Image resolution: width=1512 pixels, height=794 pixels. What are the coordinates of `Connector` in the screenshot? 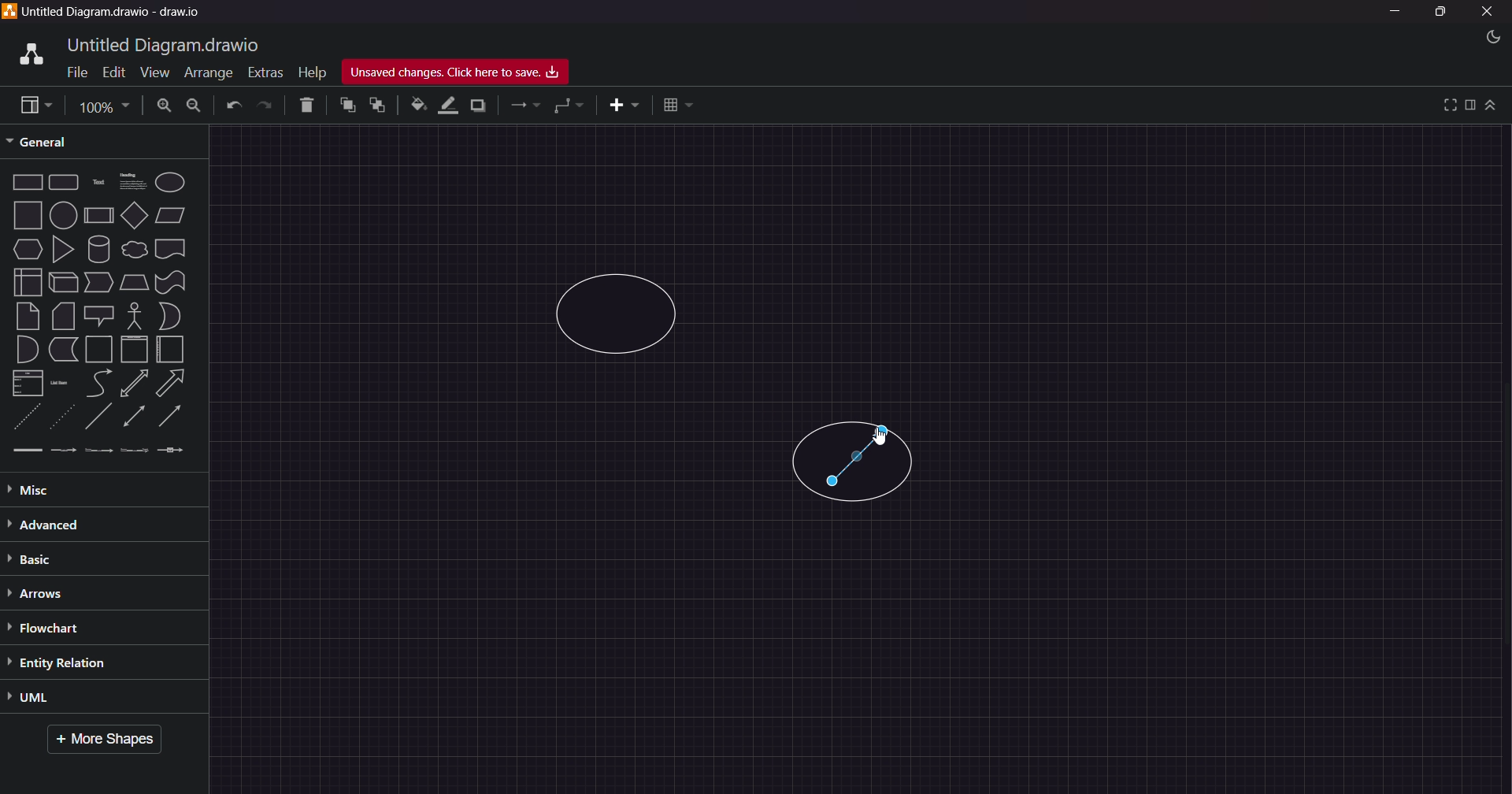 It's located at (861, 458).